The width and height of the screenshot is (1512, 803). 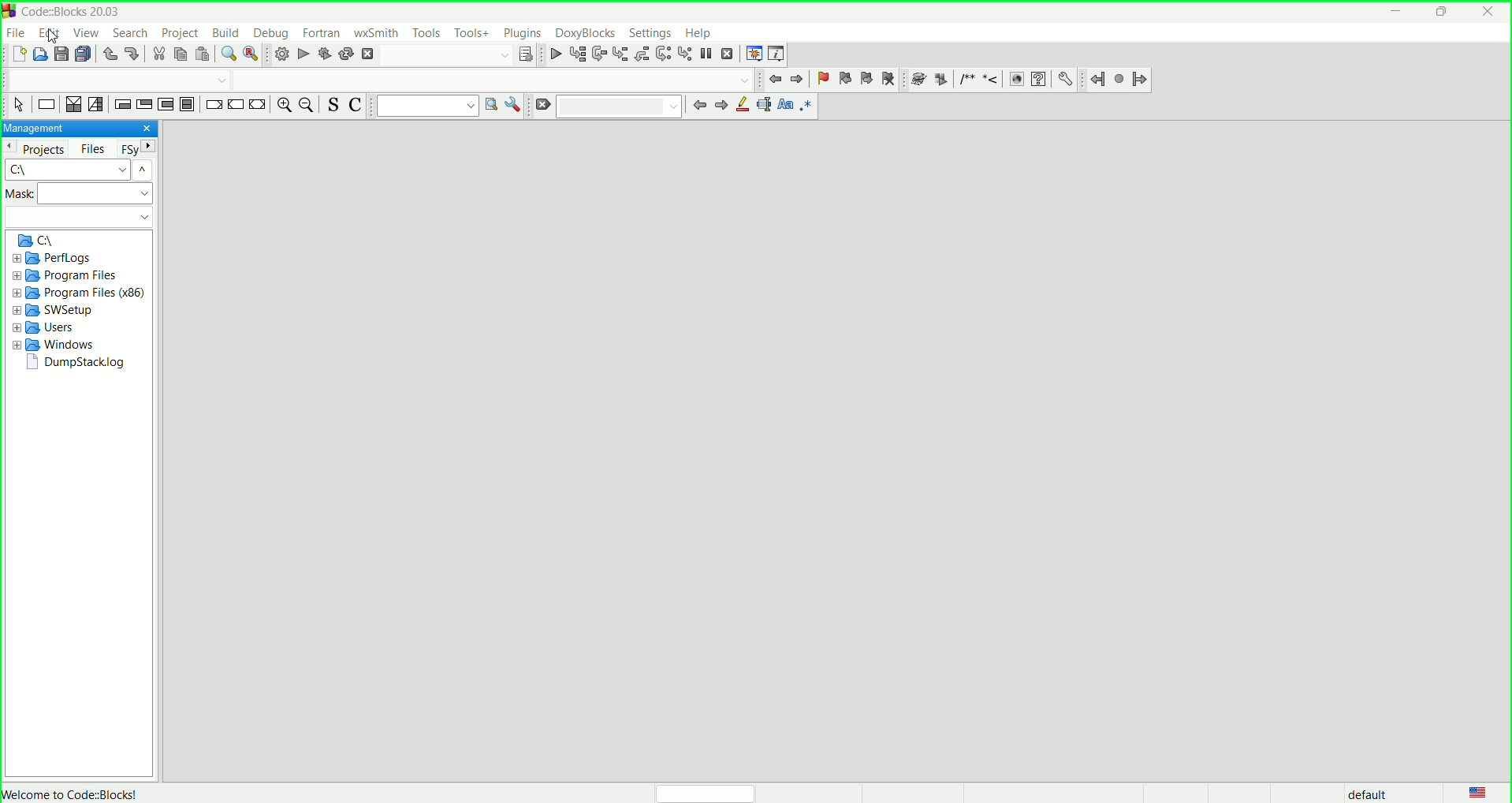 What do you see at coordinates (1362, 793) in the screenshot?
I see `default` at bounding box center [1362, 793].